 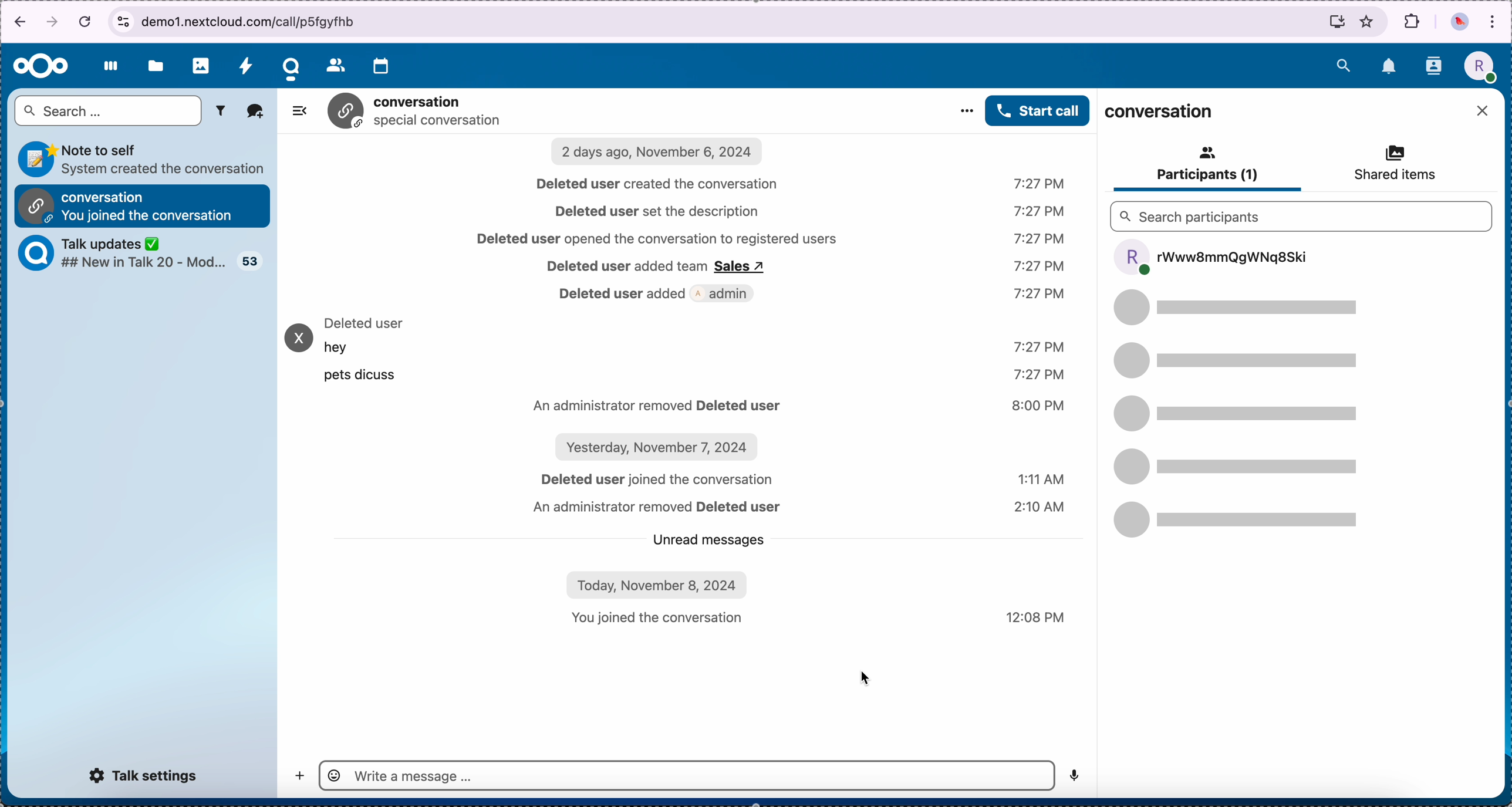 I want to click on start call button, so click(x=1038, y=110).